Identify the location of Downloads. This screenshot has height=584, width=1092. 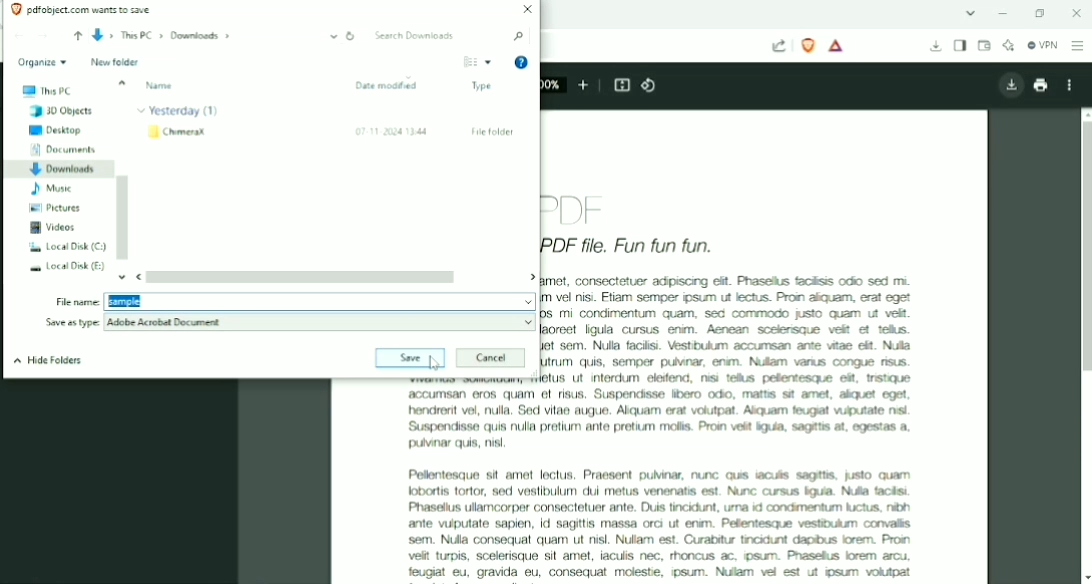
(59, 170).